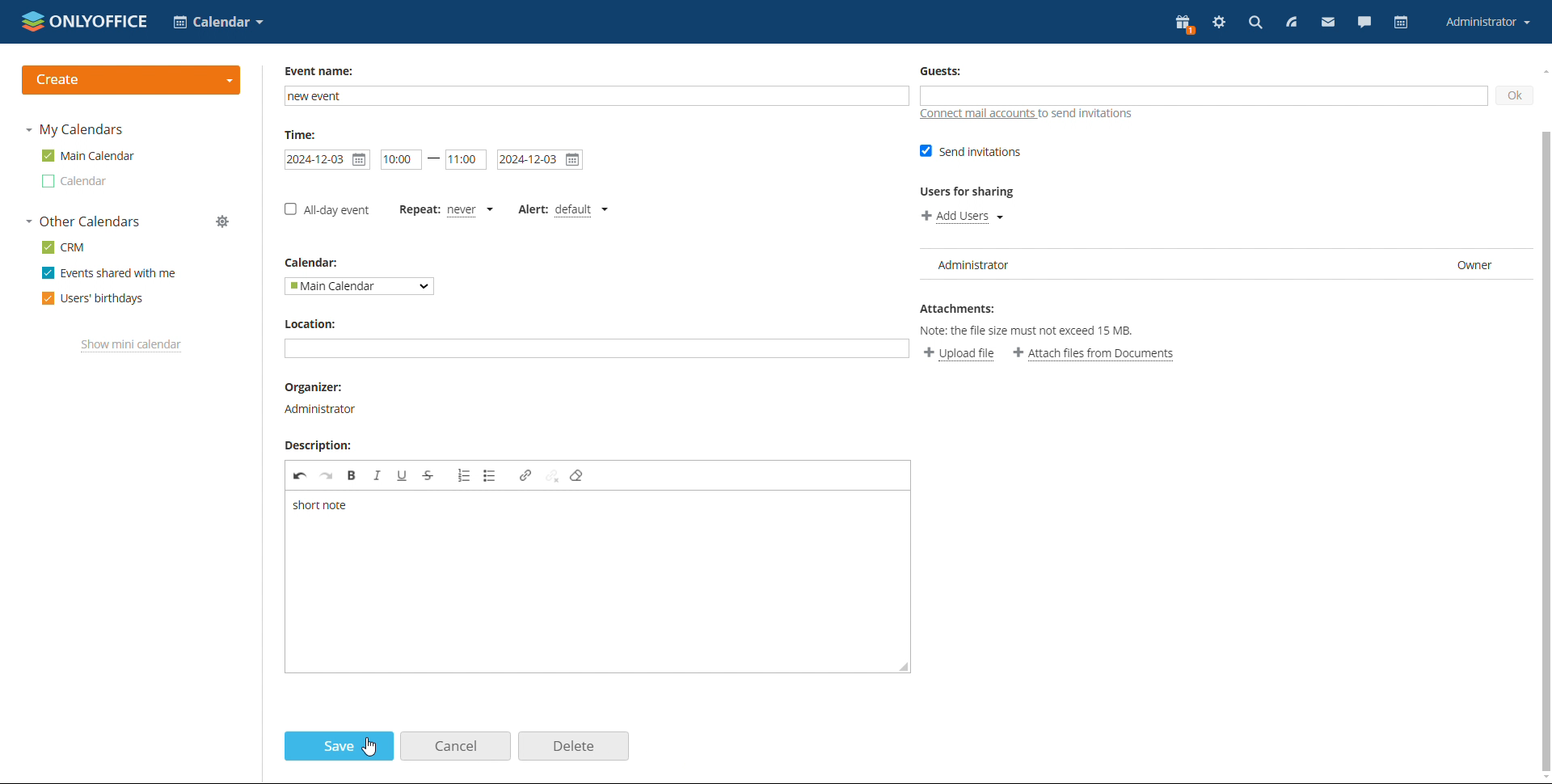 Image resolution: width=1552 pixels, height=784 pixels. I want to click on Description:, so click(327, 446).